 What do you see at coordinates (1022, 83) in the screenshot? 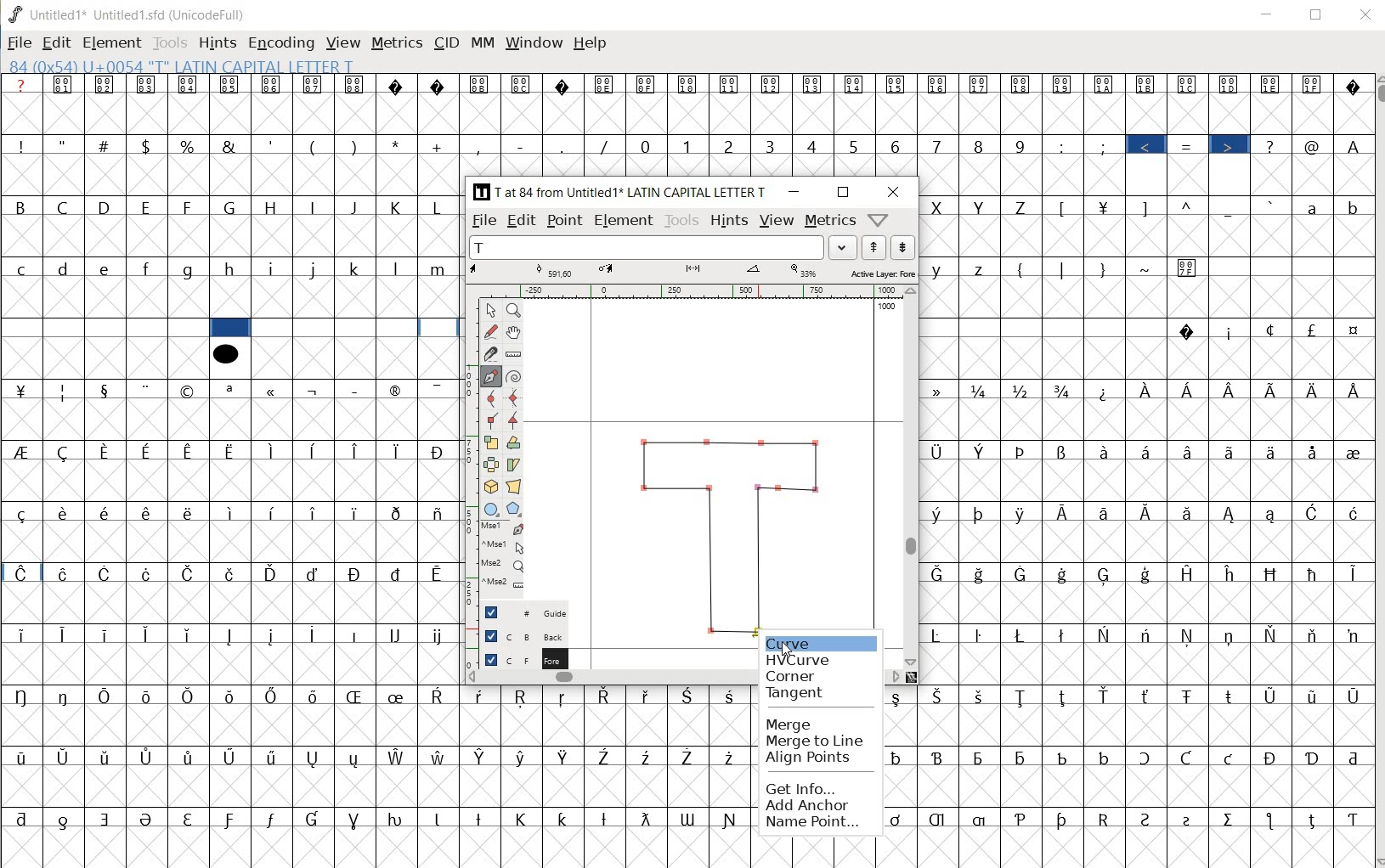
I see `Symbol` at bounding box center [1022, 83].